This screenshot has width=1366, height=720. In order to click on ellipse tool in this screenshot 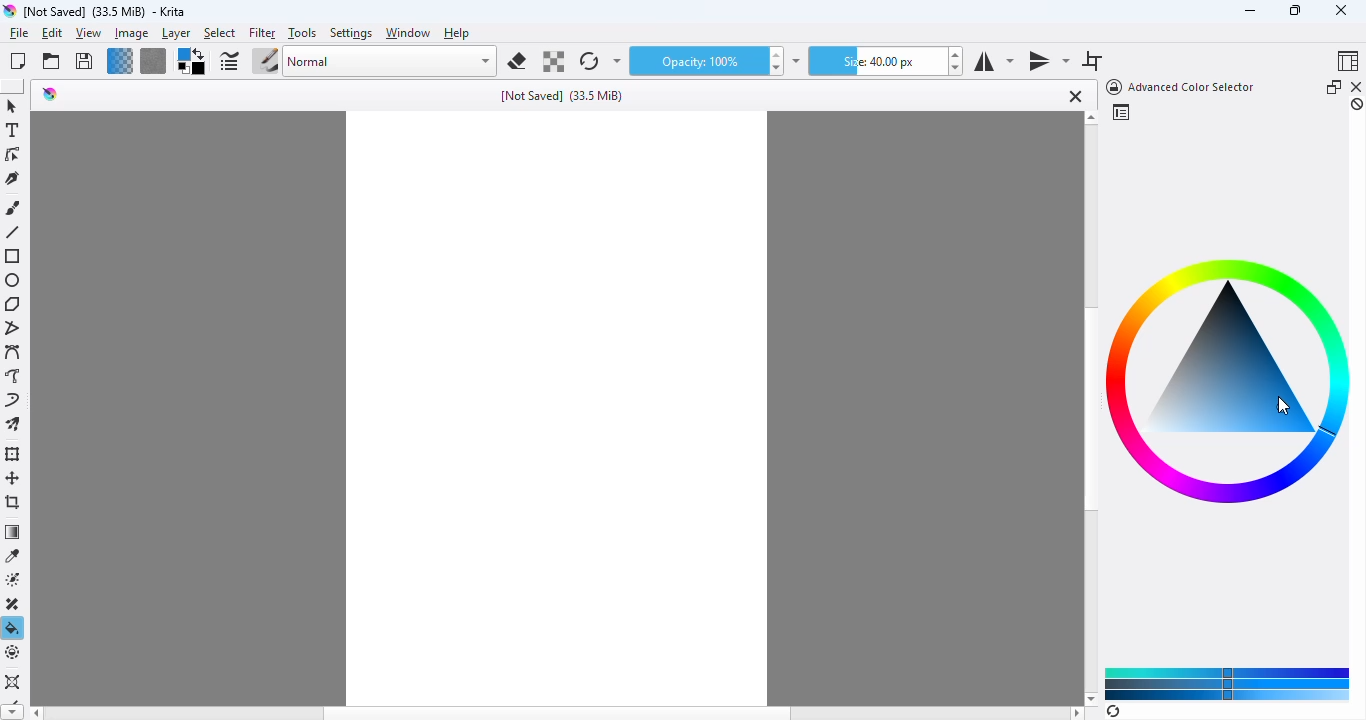, I will do `click(14, 281)`.